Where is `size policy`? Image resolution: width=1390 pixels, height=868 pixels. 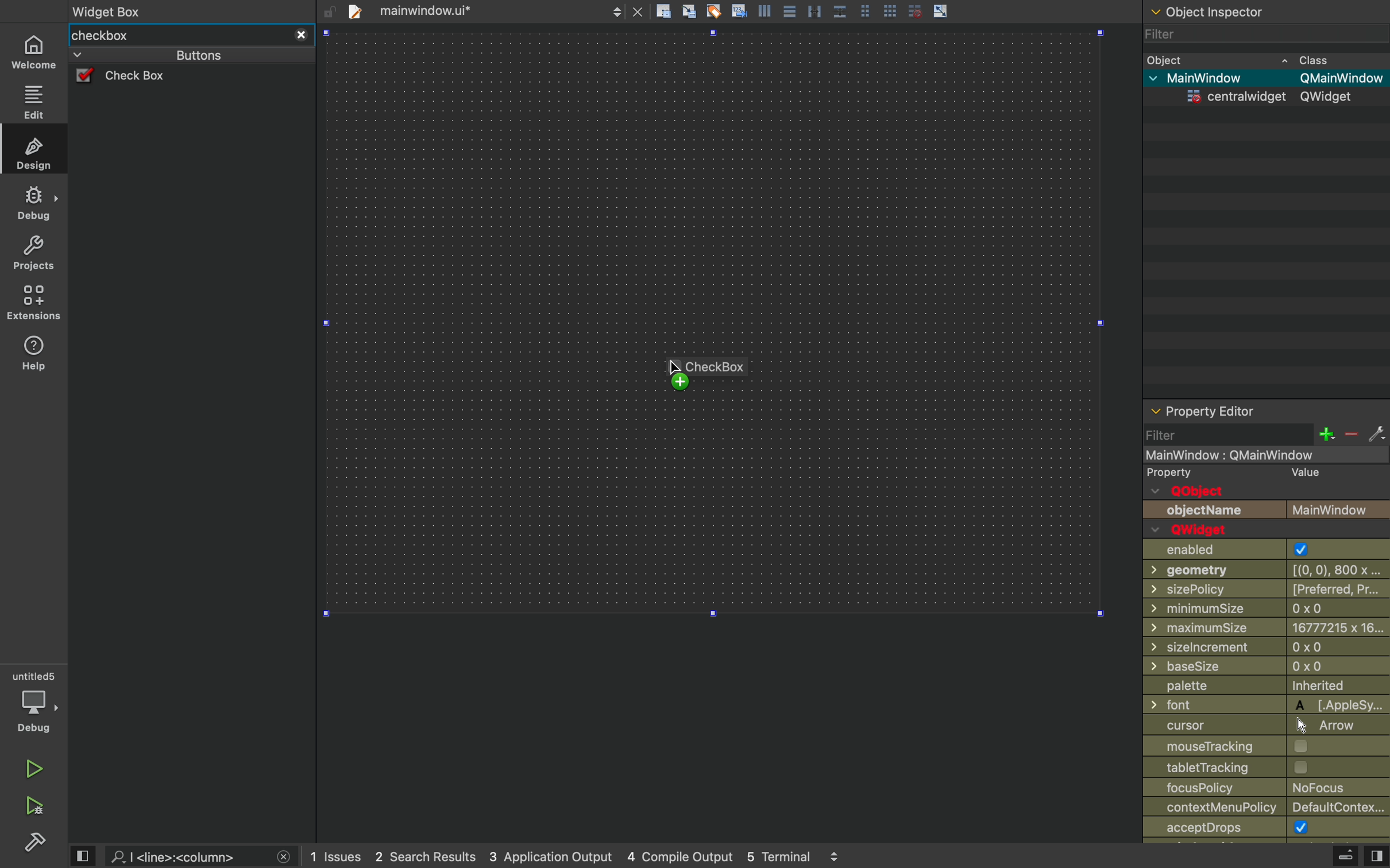 size policy is located at coordinates (1268, 588).